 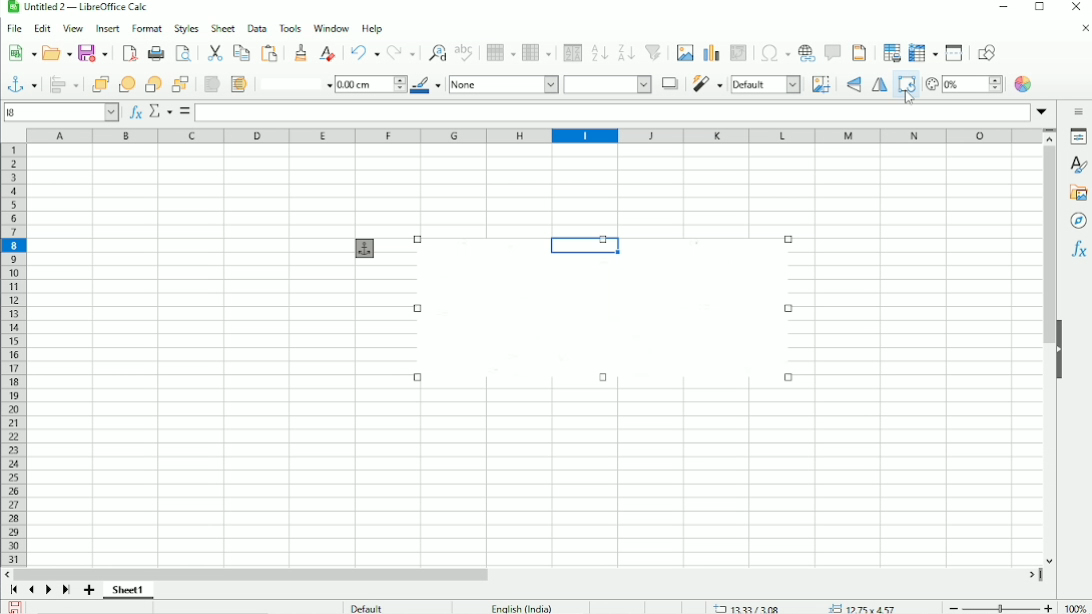 I want to click on Rotate, so click(x=905, y=88).